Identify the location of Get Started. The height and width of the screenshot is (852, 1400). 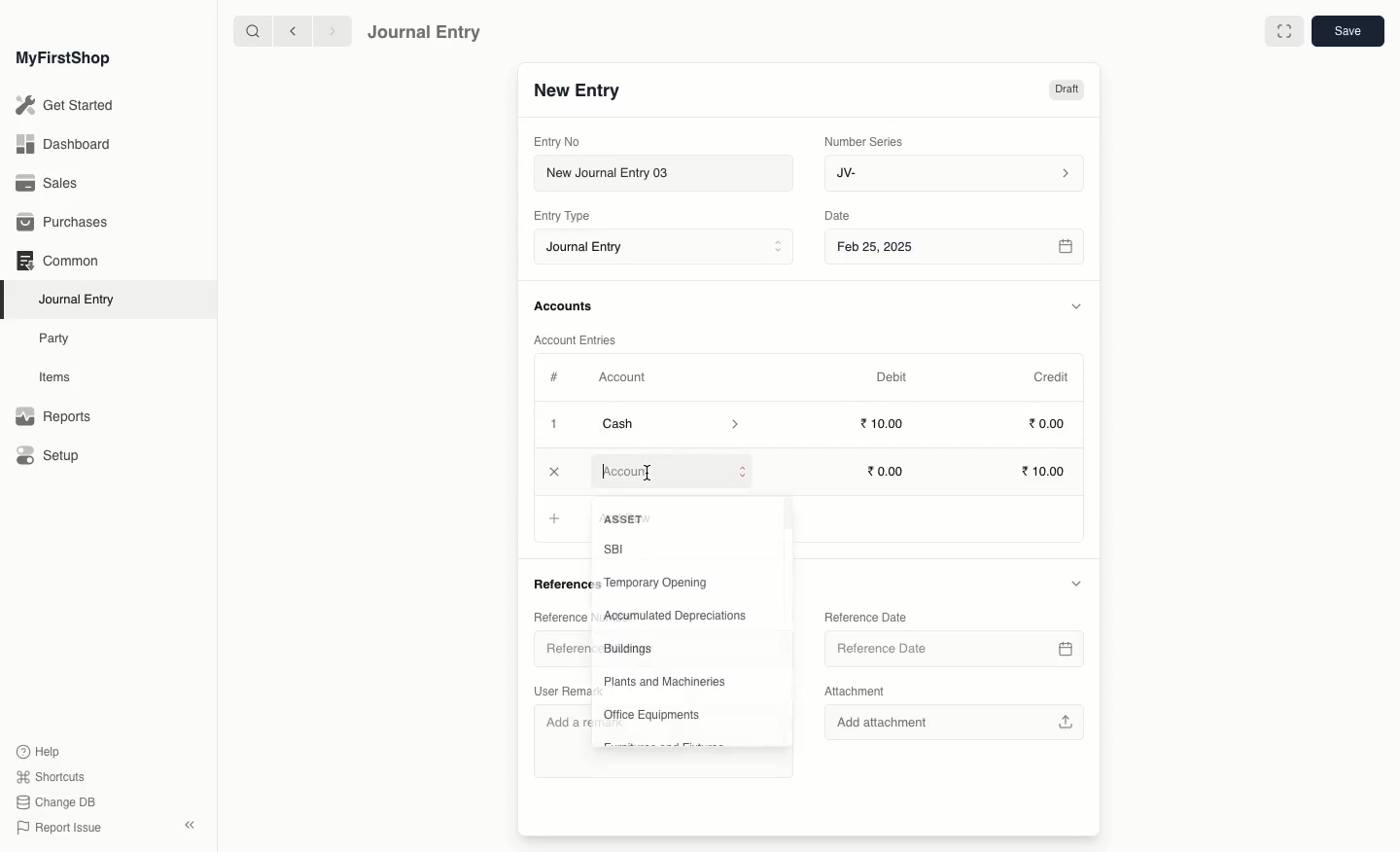
(66, 106).